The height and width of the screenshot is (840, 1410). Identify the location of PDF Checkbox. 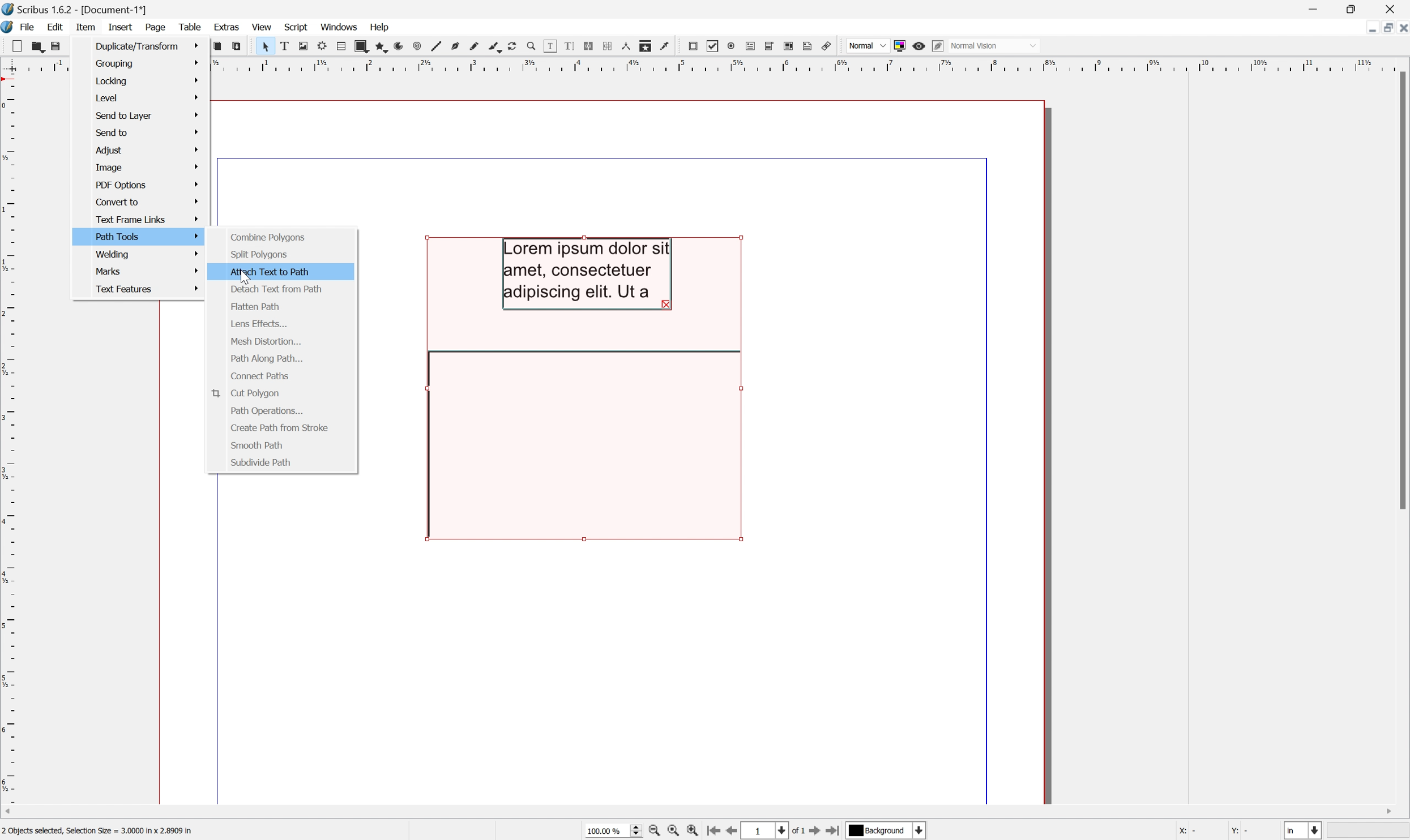
(713, 46).